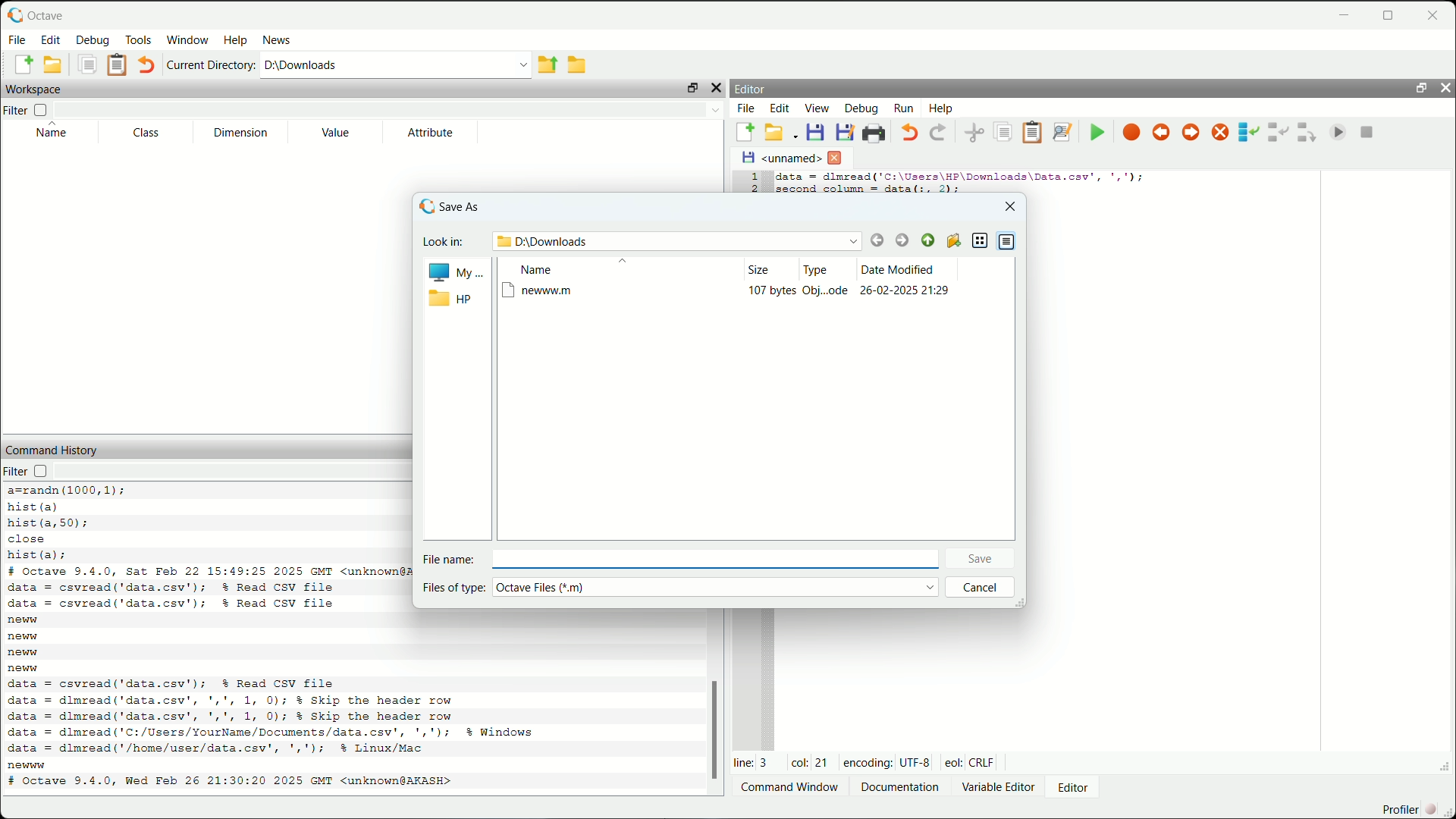  What do you see at coordinates (1219, 135) in the screenshot?
I see `remove all breakpoints` at bounding box center [1219, 135].